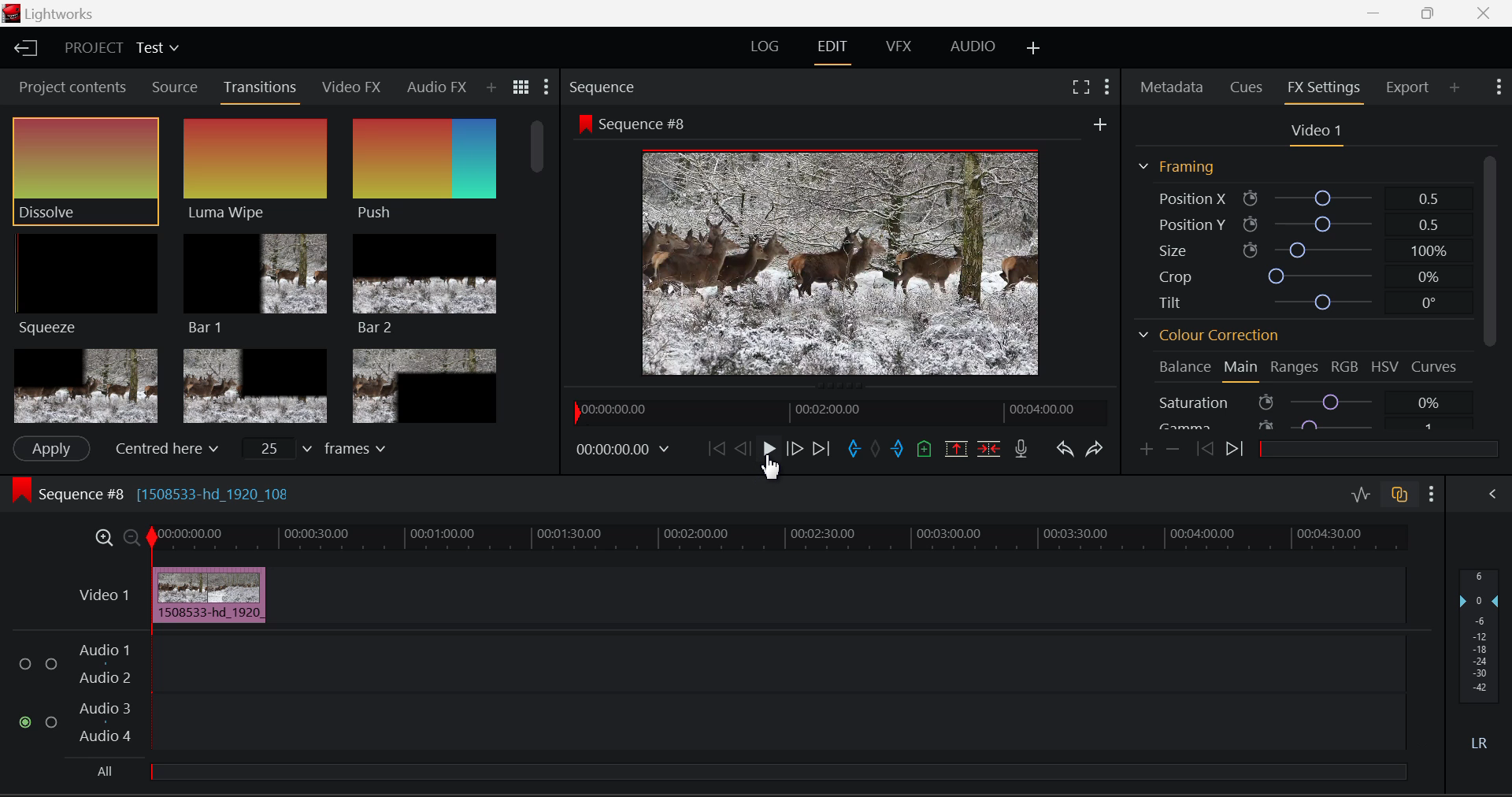  I want to click on Timeline Zoom Out, so click(128, 535).